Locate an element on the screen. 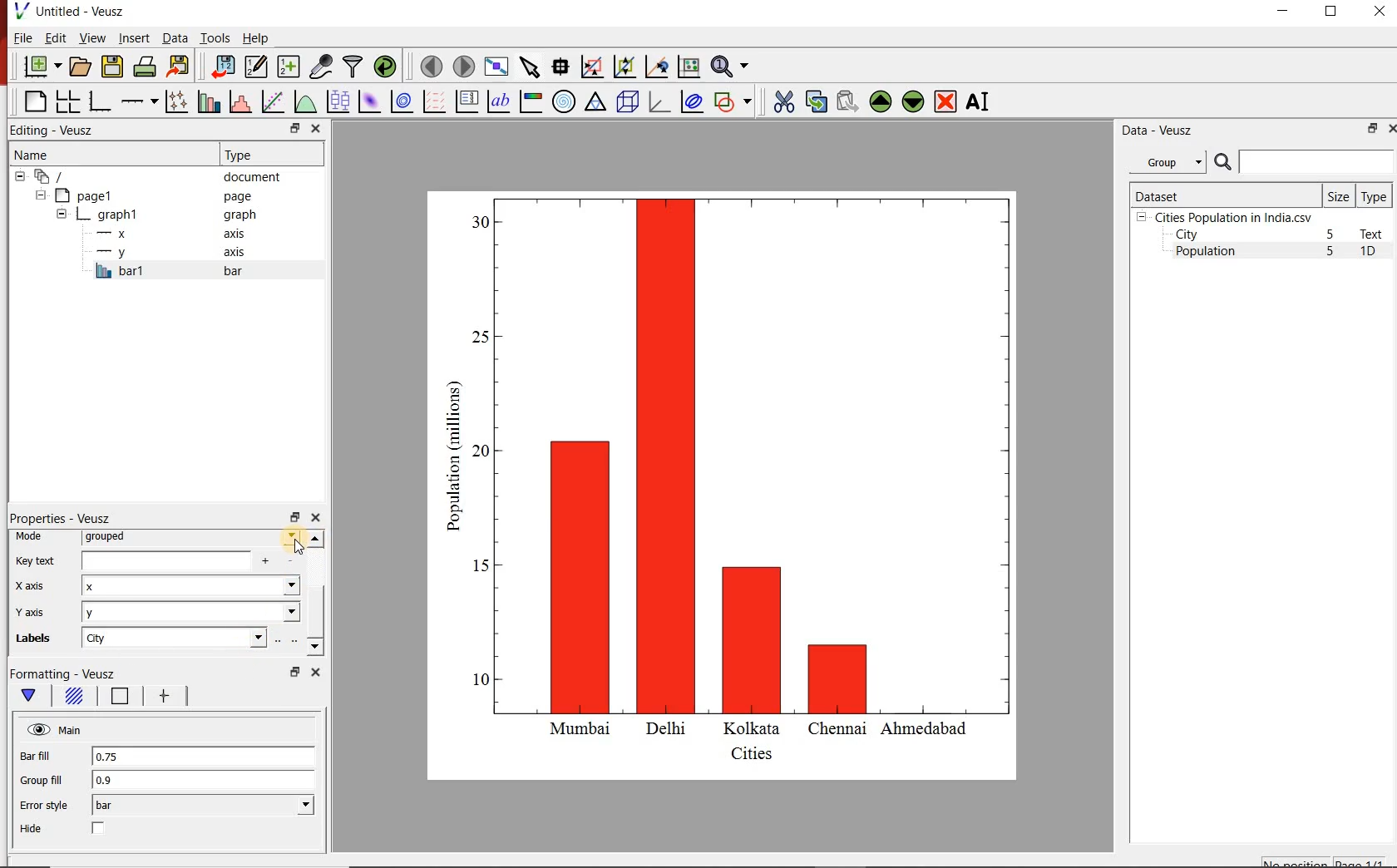 The height and width of the screenshot is (868, 1397). y is located at coordinates (191, 613).